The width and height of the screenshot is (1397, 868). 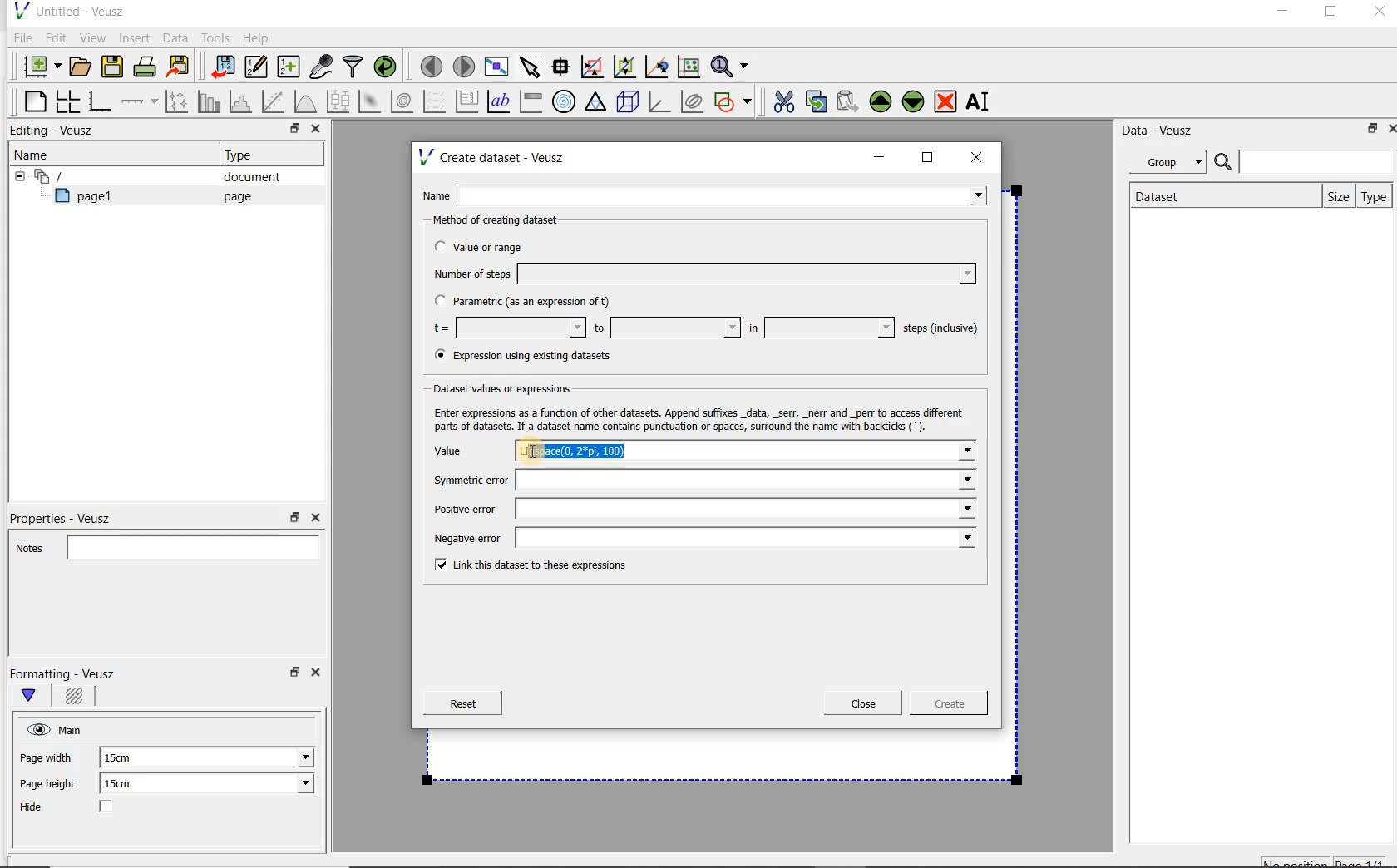 I want to click on Untitled - Veusz, so click(x=67, y=10).